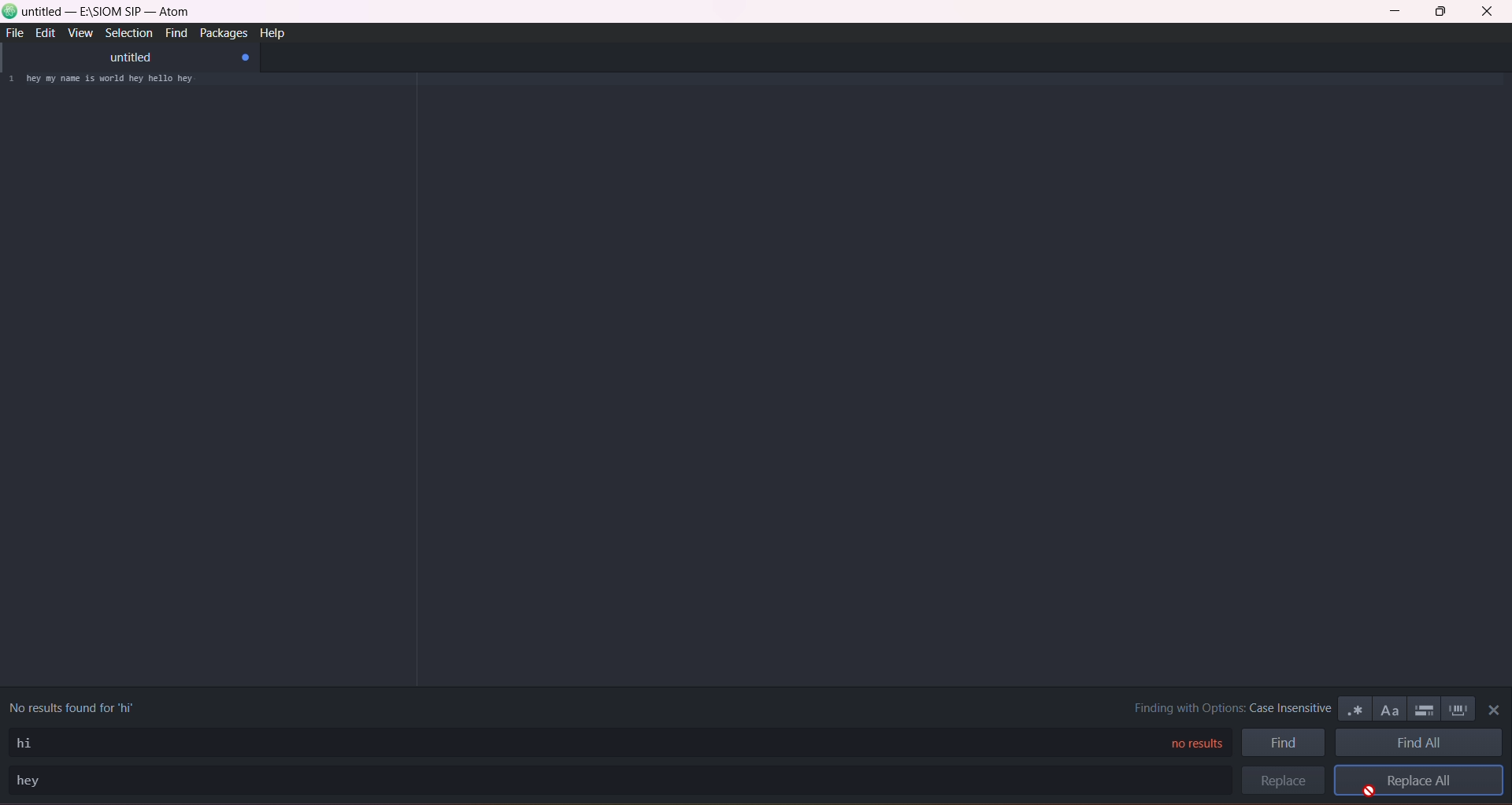 The image size is (1512, 805). I want to click on find all, so click(1421, 743).